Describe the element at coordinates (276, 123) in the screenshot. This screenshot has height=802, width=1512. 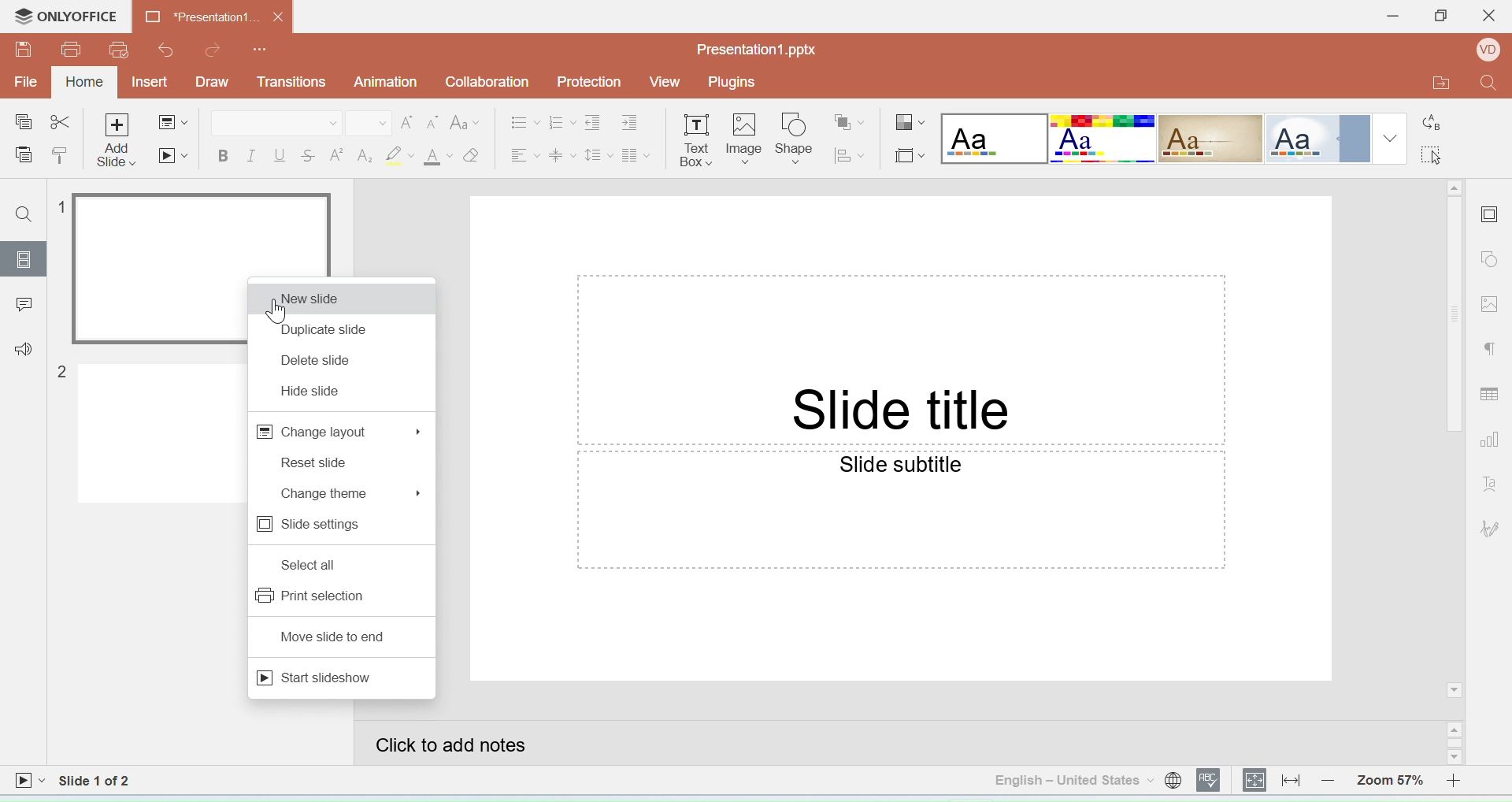
I see `Font` at that location.